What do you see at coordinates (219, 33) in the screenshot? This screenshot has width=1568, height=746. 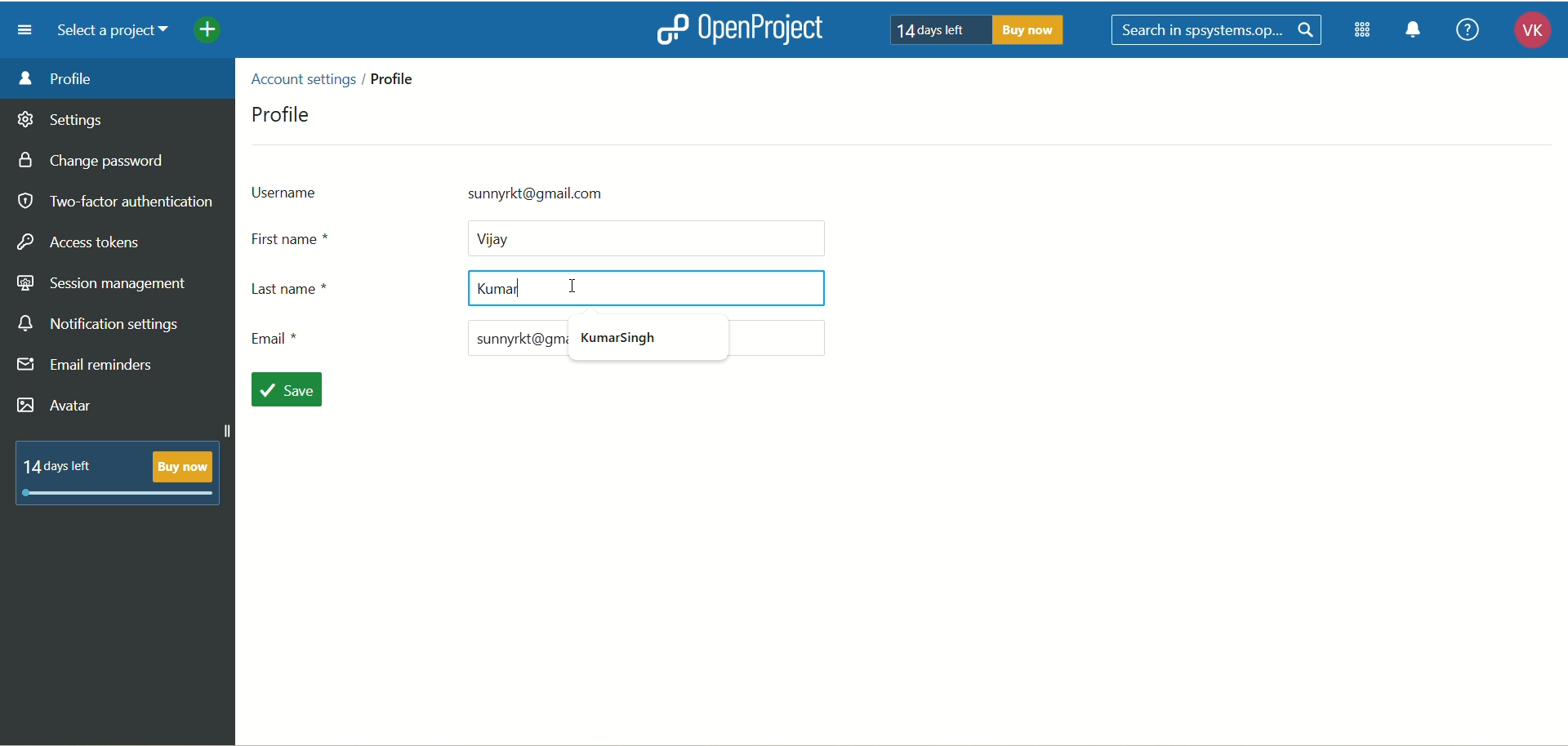 I see `add project` at bounding box center [219, 33].